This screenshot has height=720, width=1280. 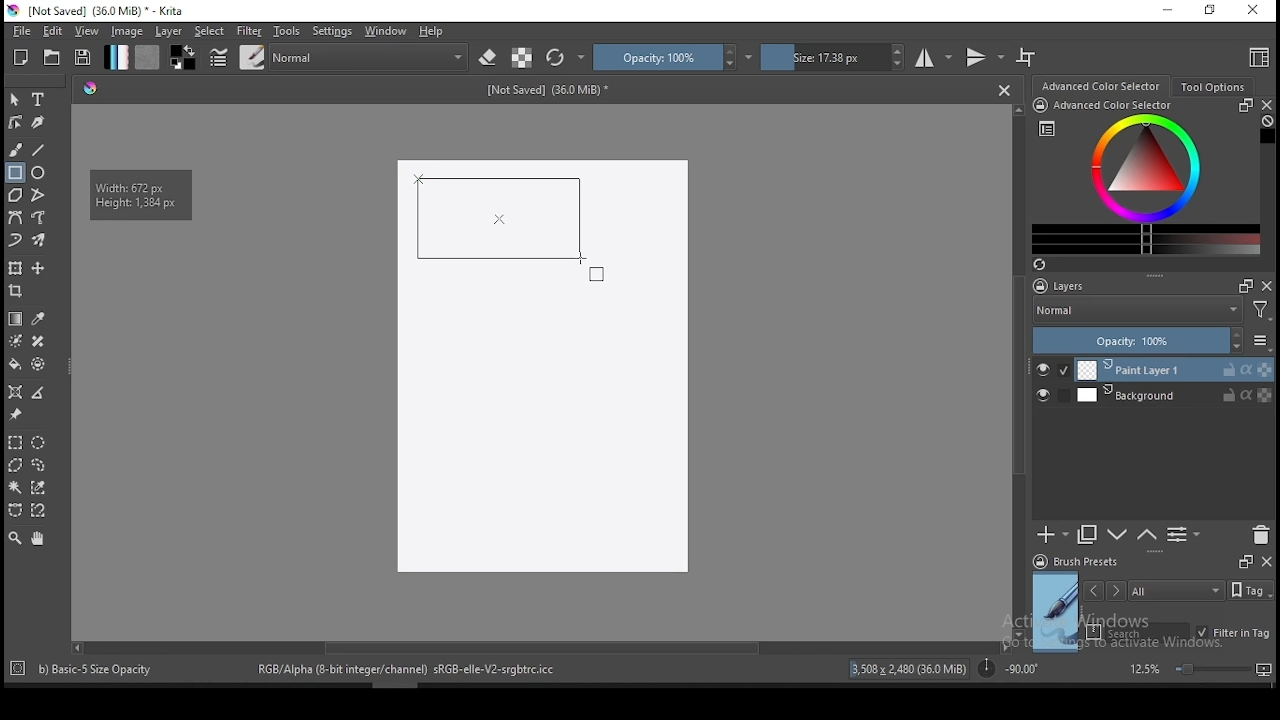 What do you see at coordinates (39, 100) in the screenshot?
I see `text tool` at bounding box center [39, 100].